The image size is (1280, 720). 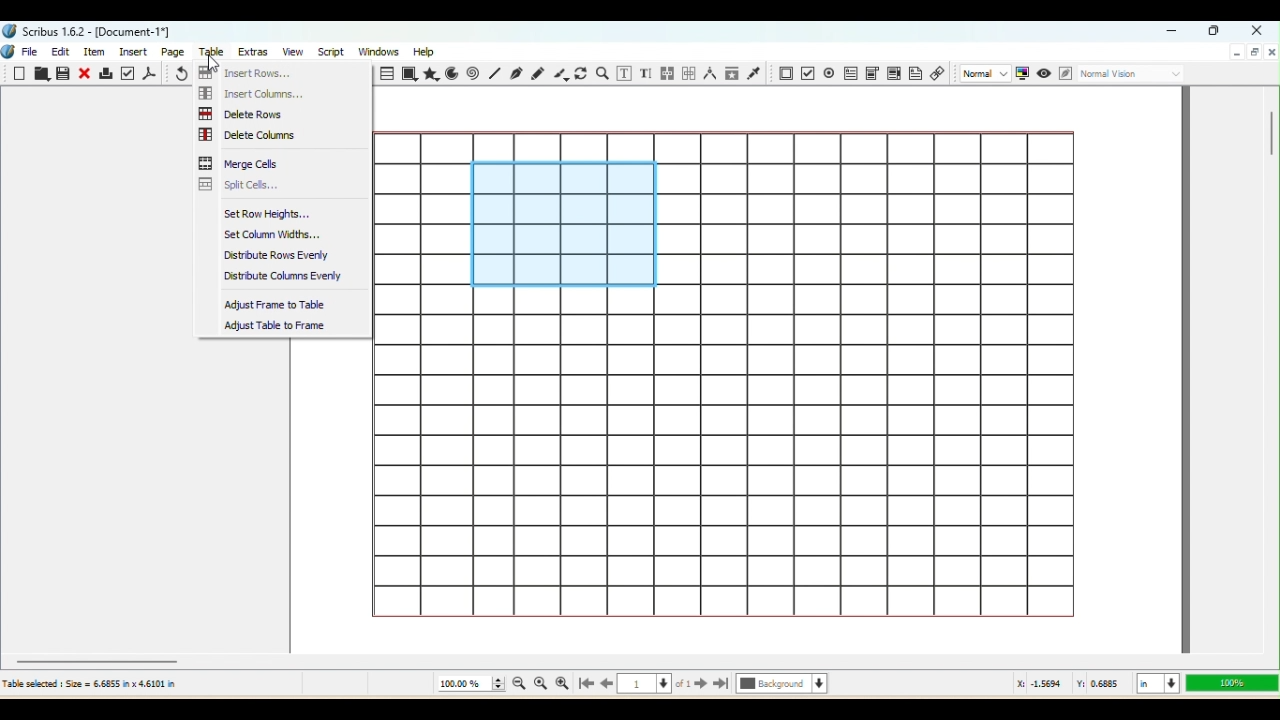 I want to click on Select the current page, so click(x=655, y=686).